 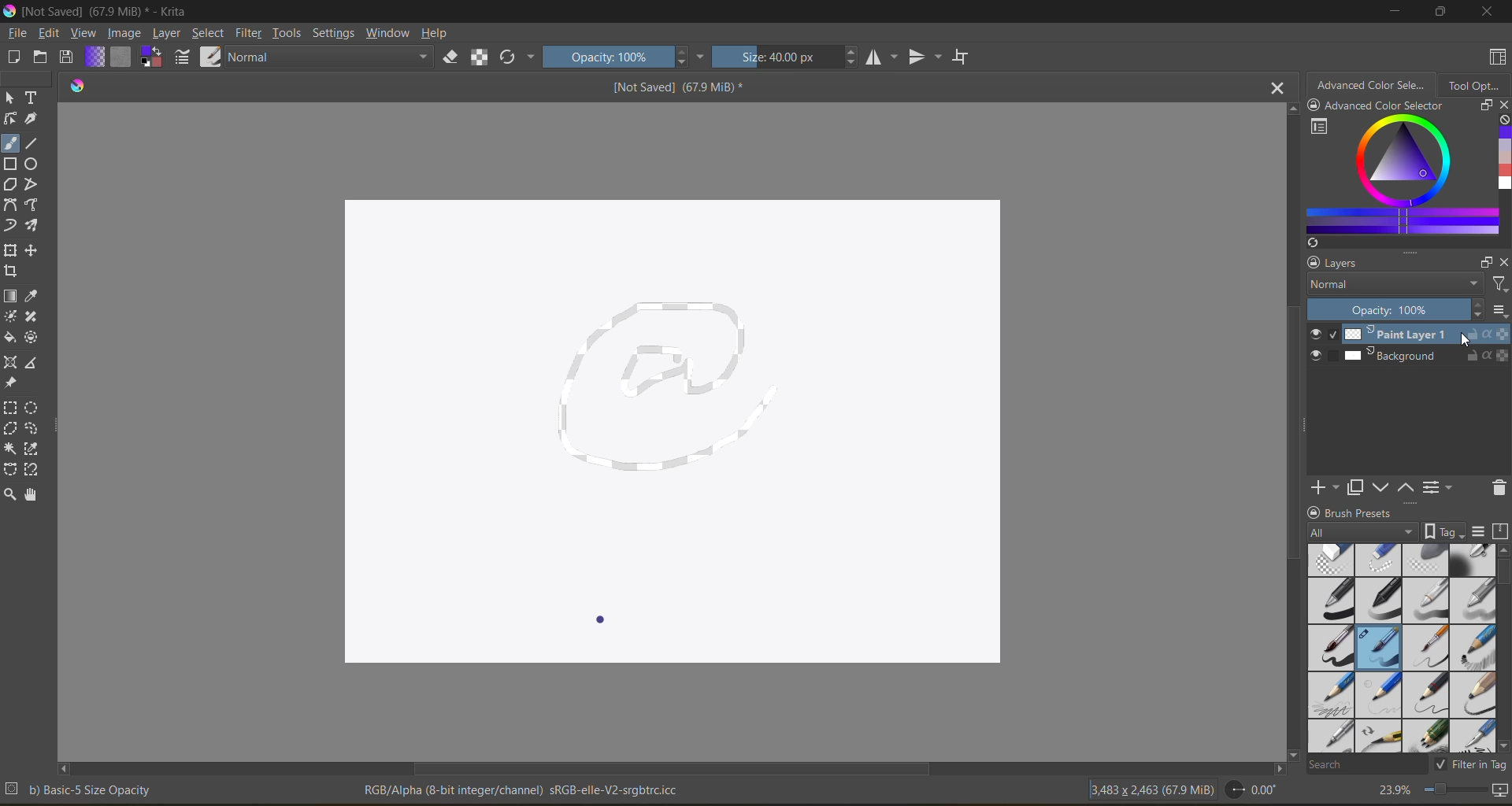 What do you see at coordinates (925, 57) in the screenshot?
I see `flip vertically` at bounding box center [925, 57].